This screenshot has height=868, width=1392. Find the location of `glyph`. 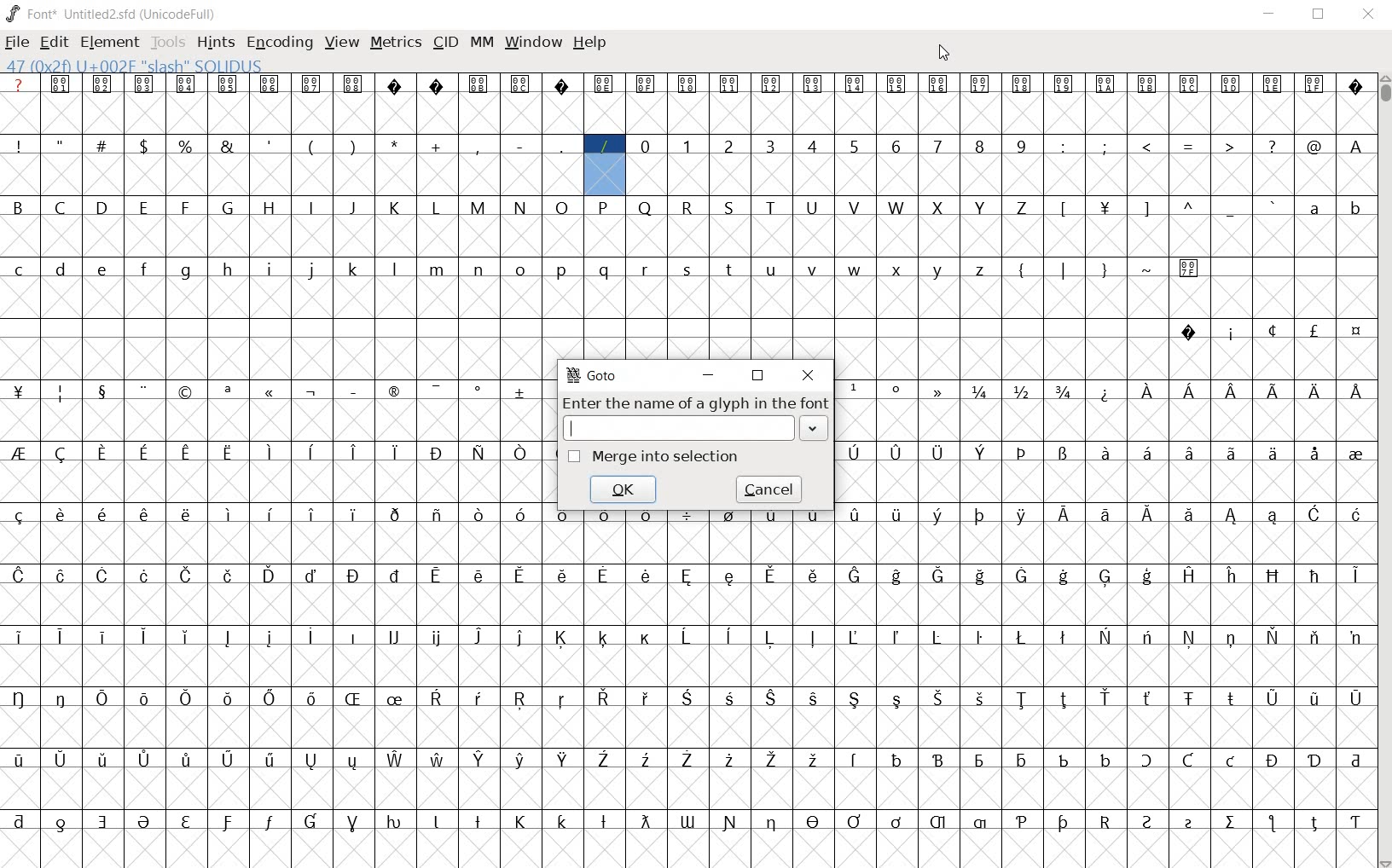

glyph is located at coordinates (1190, 148).